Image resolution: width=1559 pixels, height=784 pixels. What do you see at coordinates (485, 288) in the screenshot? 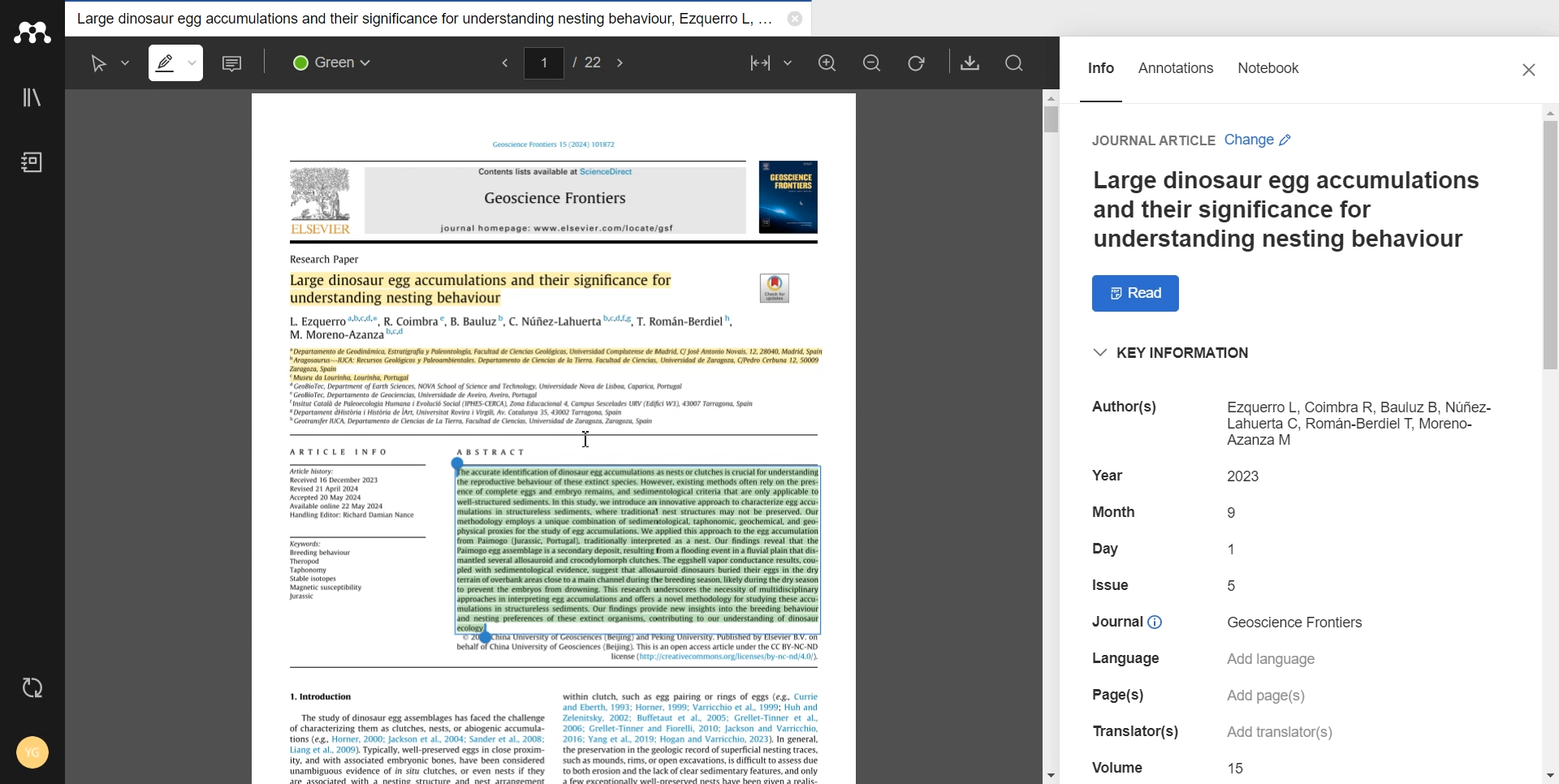
I see `Highlighted Text` at bounding box center [485, 288].